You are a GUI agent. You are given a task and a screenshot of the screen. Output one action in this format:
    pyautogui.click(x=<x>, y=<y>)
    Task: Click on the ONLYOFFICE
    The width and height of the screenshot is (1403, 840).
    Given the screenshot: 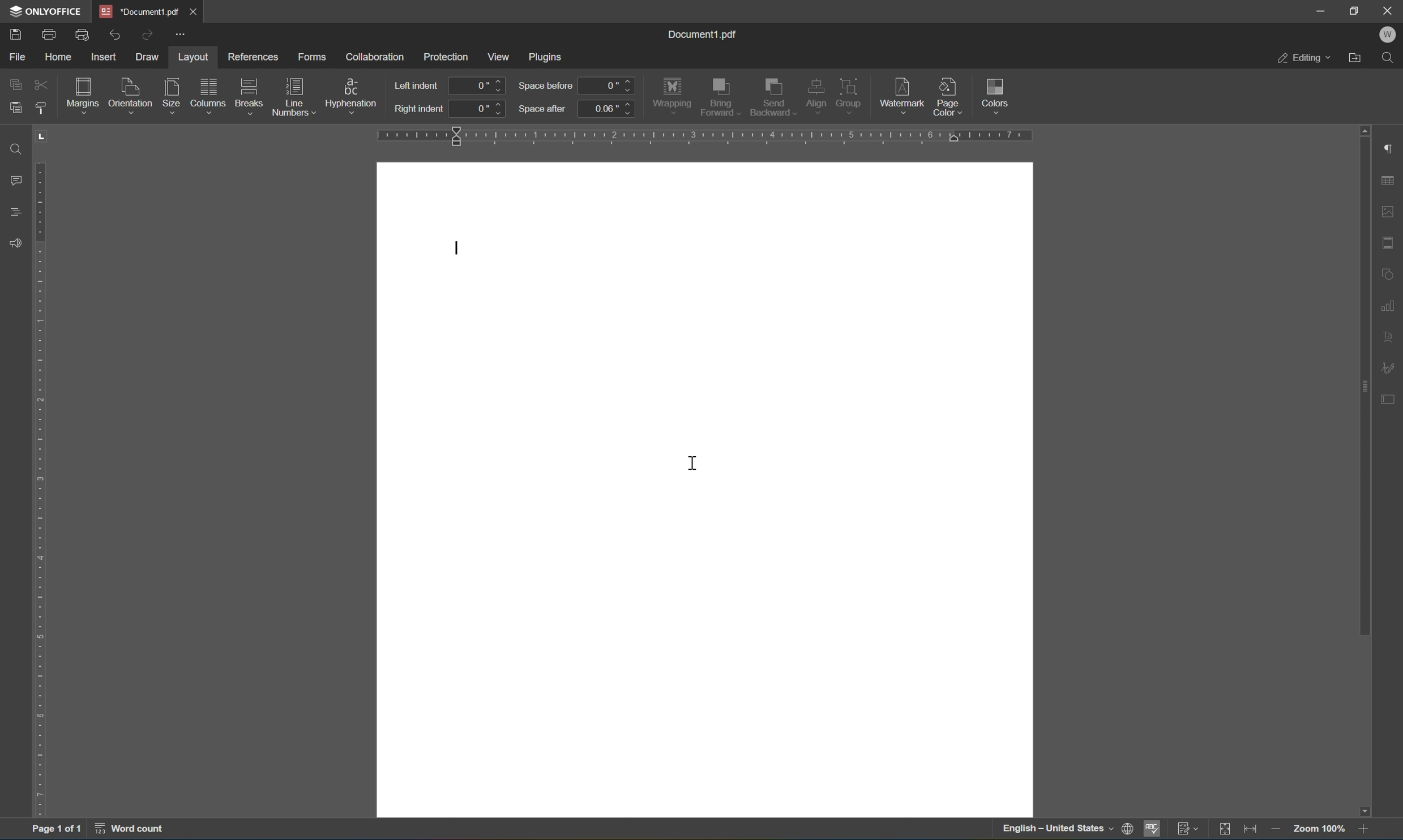 What is the action you would take?
    pyautogui.click(x=44, y=11)
    